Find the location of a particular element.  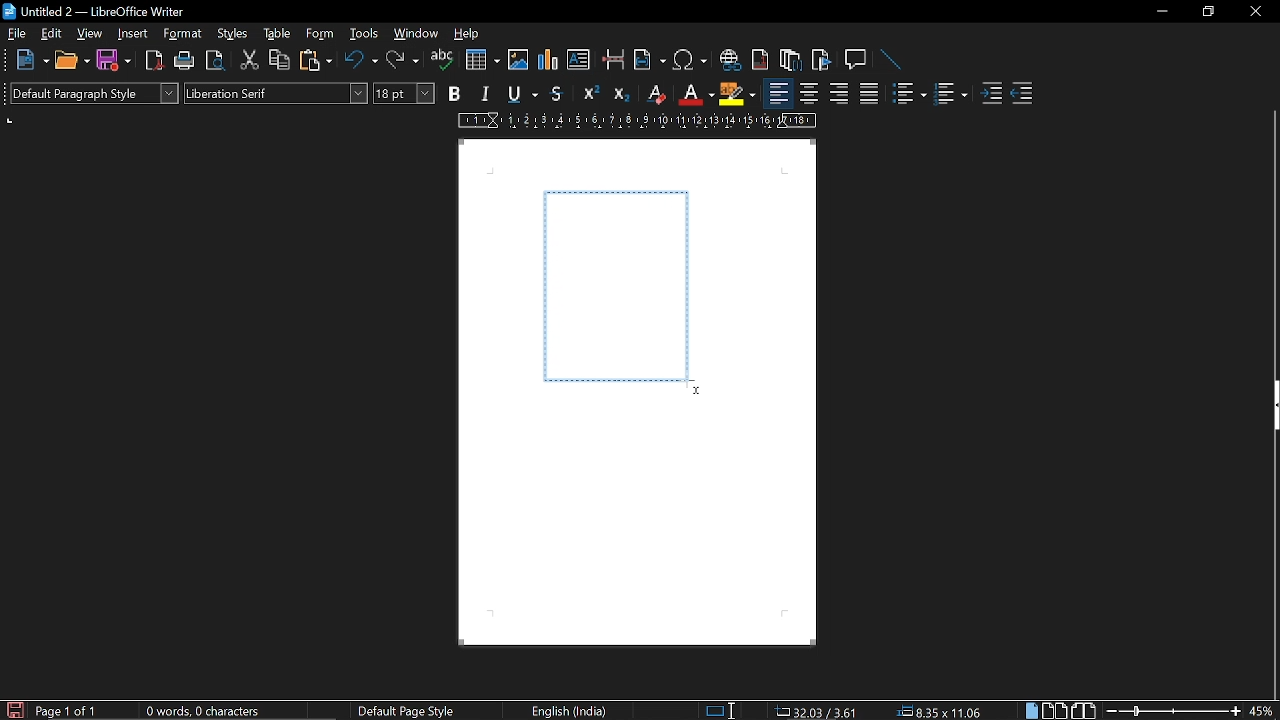

insert chart is located at coordinates (483, 60).